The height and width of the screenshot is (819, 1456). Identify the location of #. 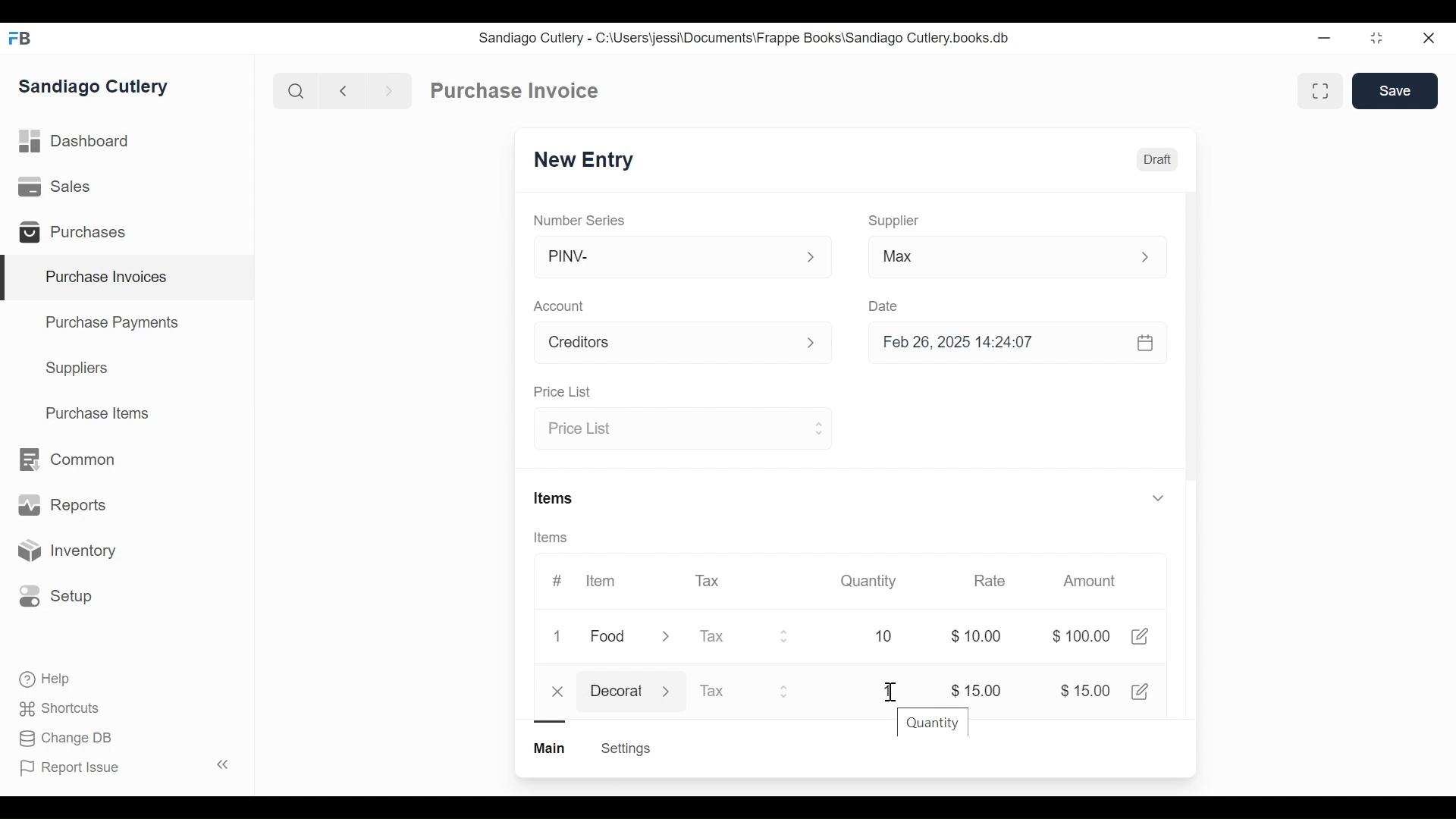
(557, 580).